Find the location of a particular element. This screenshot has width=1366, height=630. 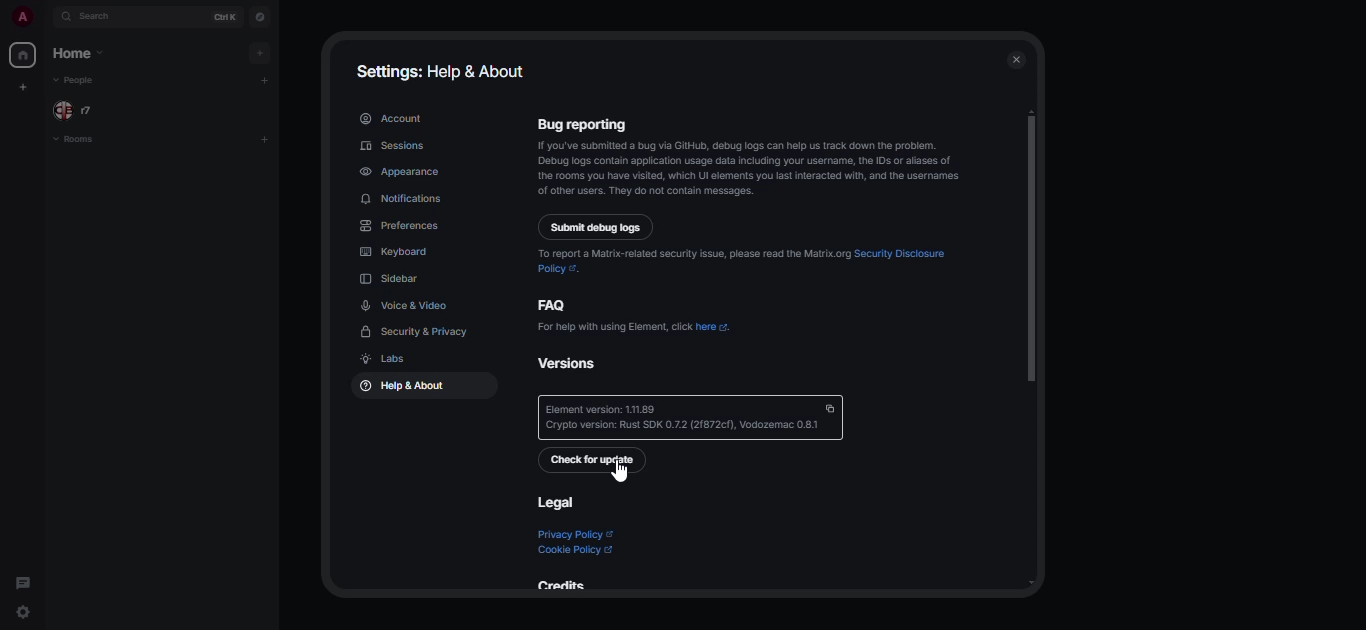

profile is located at coordinates (25, 16).